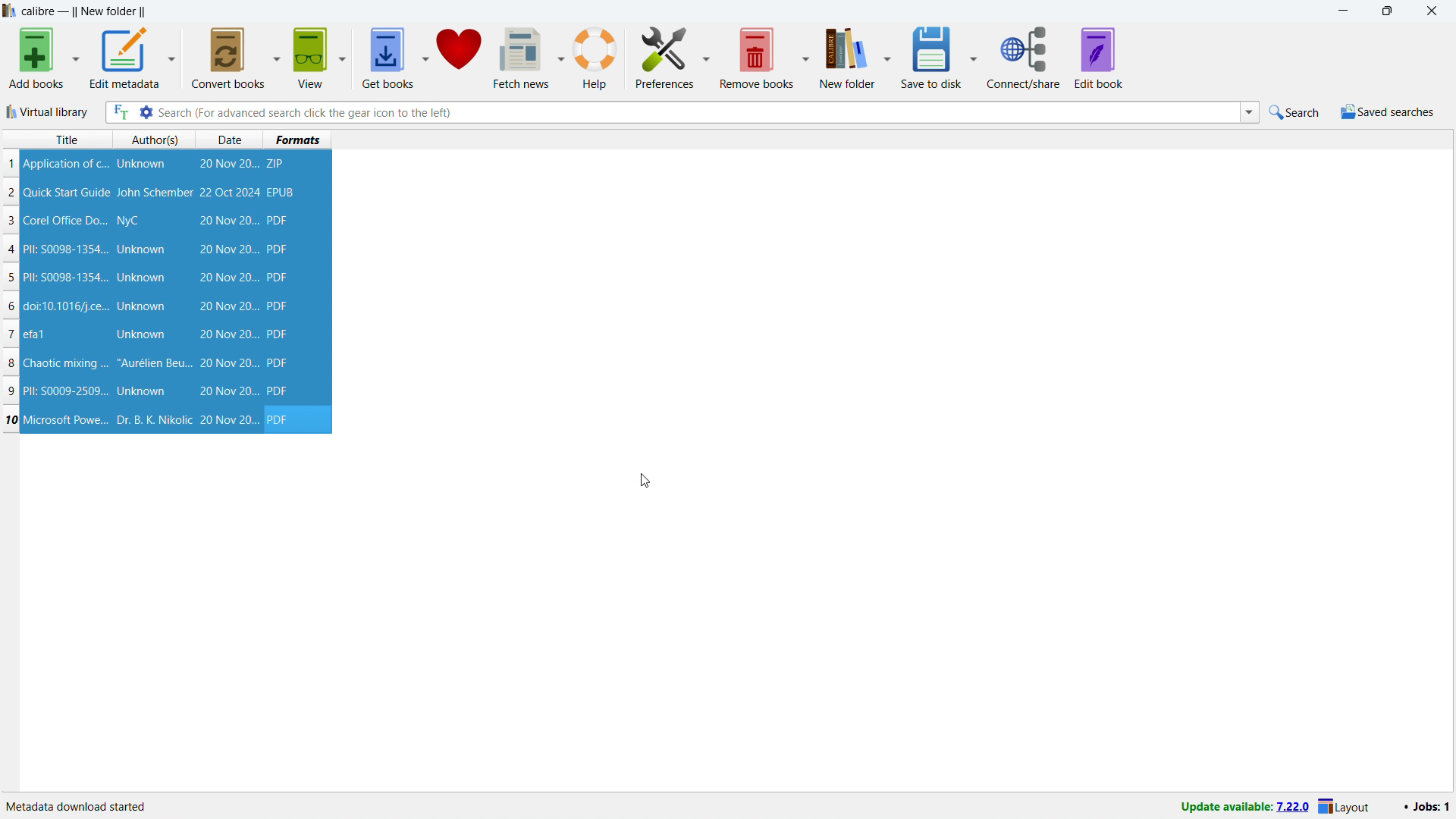  I want to click on Unknown, so click(141, 278).